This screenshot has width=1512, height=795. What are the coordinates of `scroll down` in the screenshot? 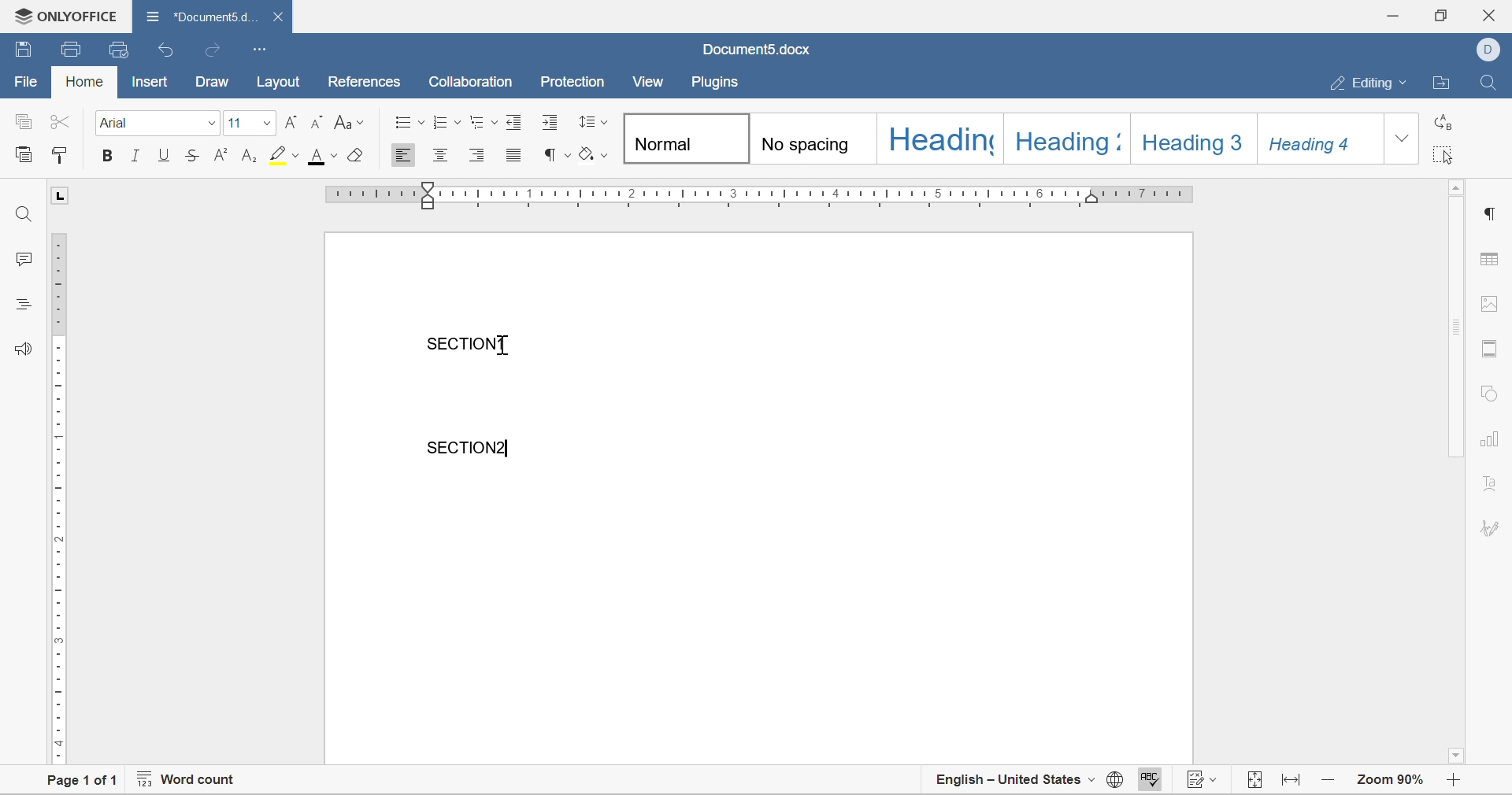 It's located at (1455, 755).